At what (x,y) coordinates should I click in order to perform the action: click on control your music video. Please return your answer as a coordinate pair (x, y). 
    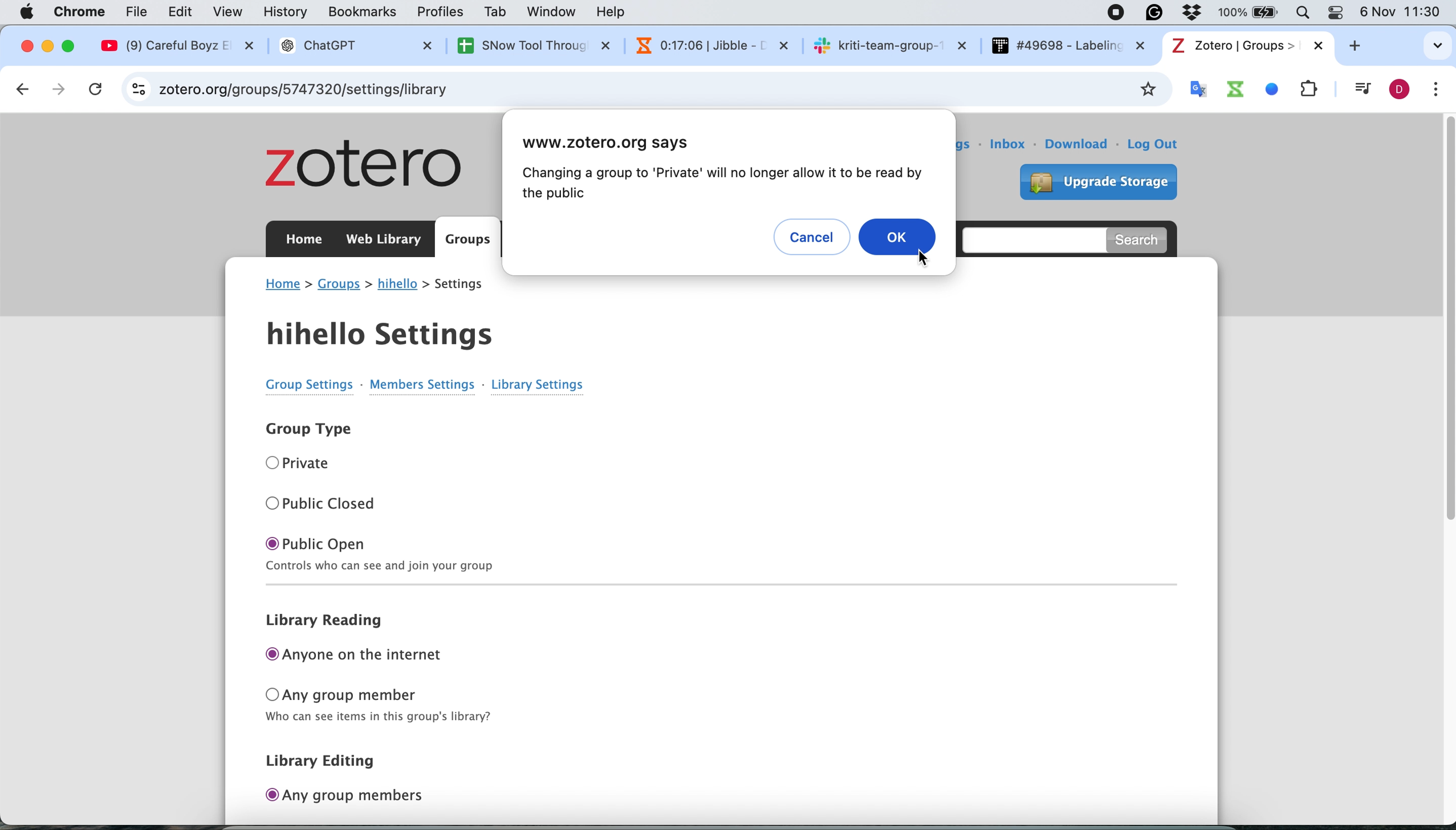
    Looking at the image, I should click on (1359, 89).